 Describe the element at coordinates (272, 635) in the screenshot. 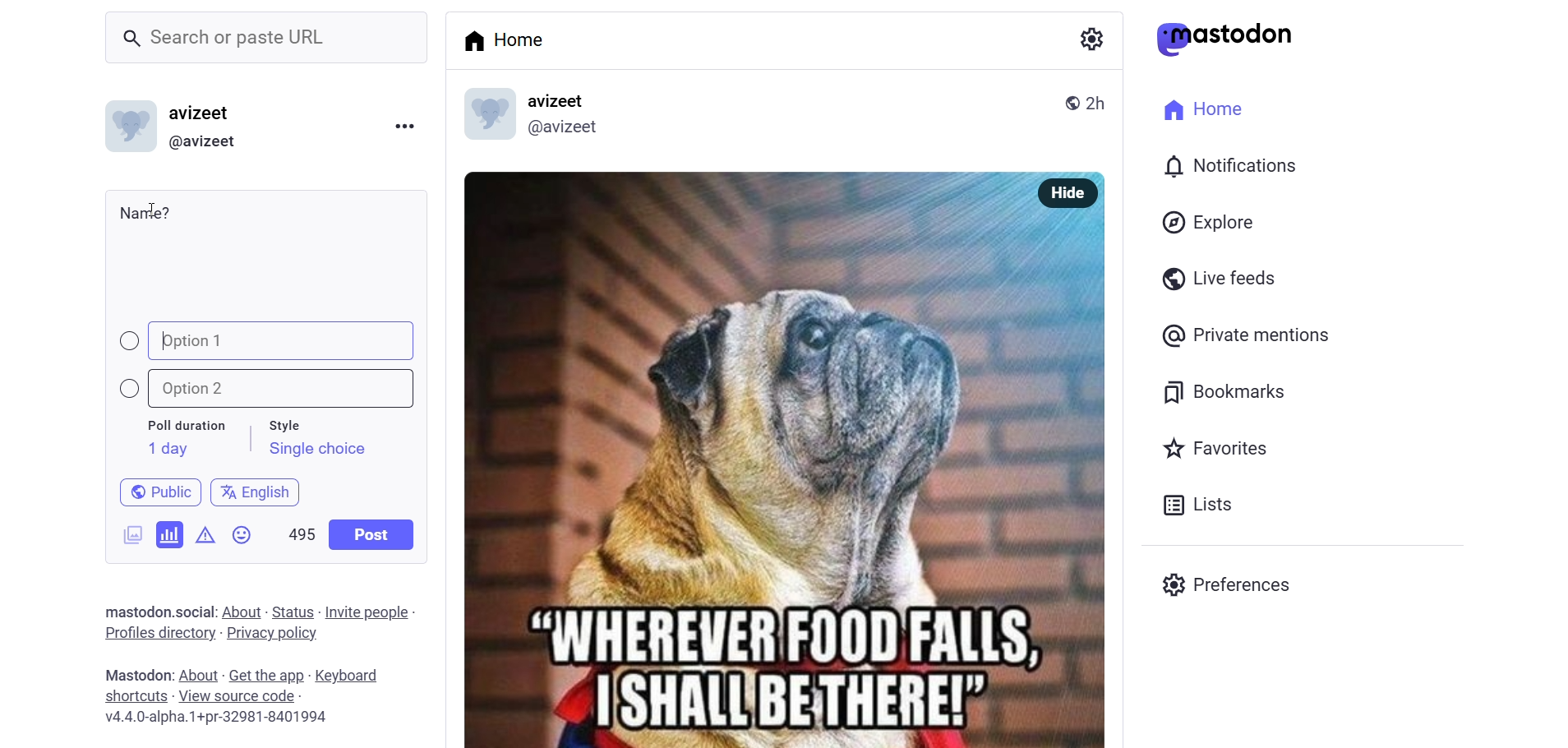

I see `privacy policy` at that location.